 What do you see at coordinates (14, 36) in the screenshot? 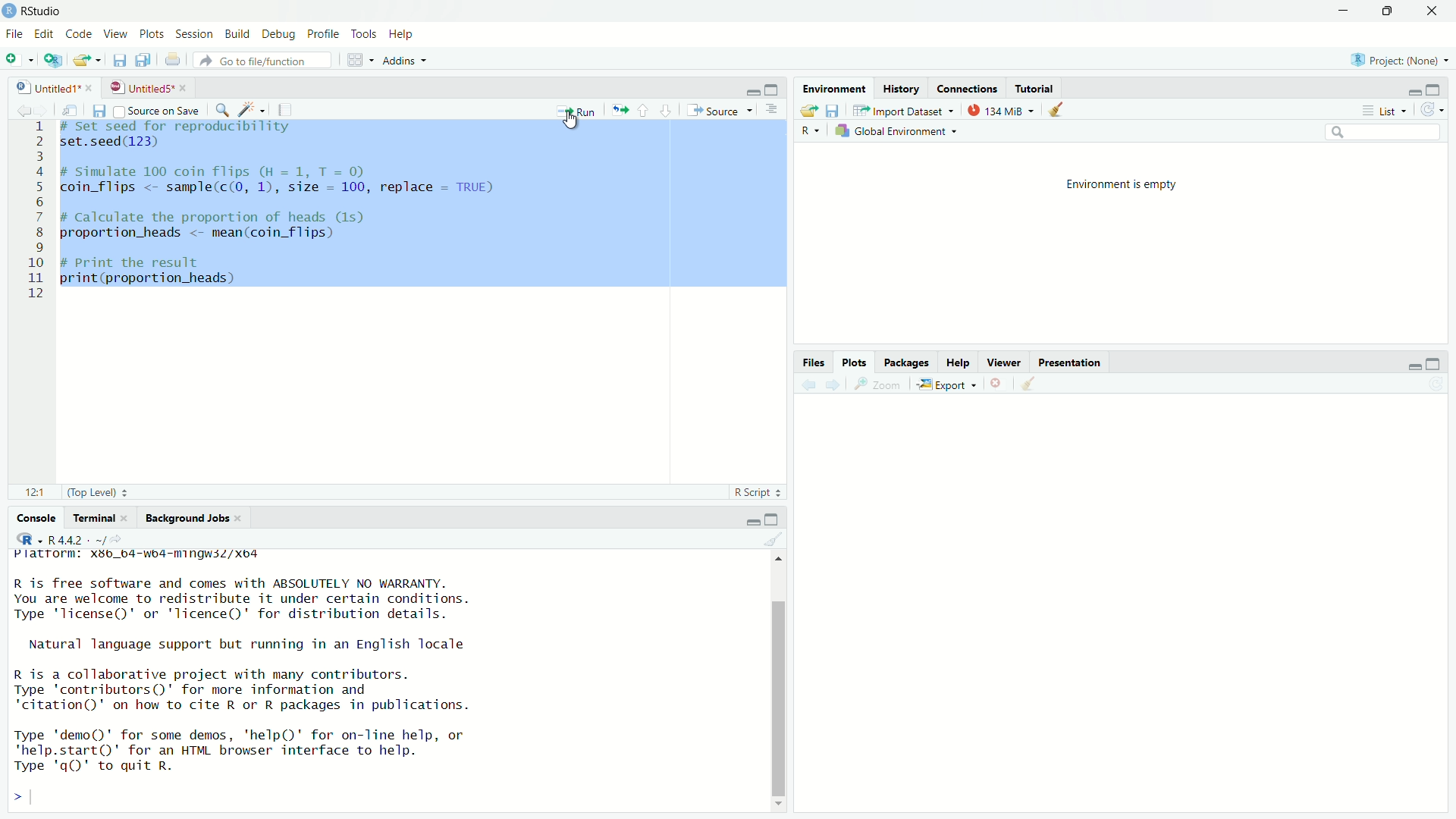
I see `file` at bounding box center [14, 36].